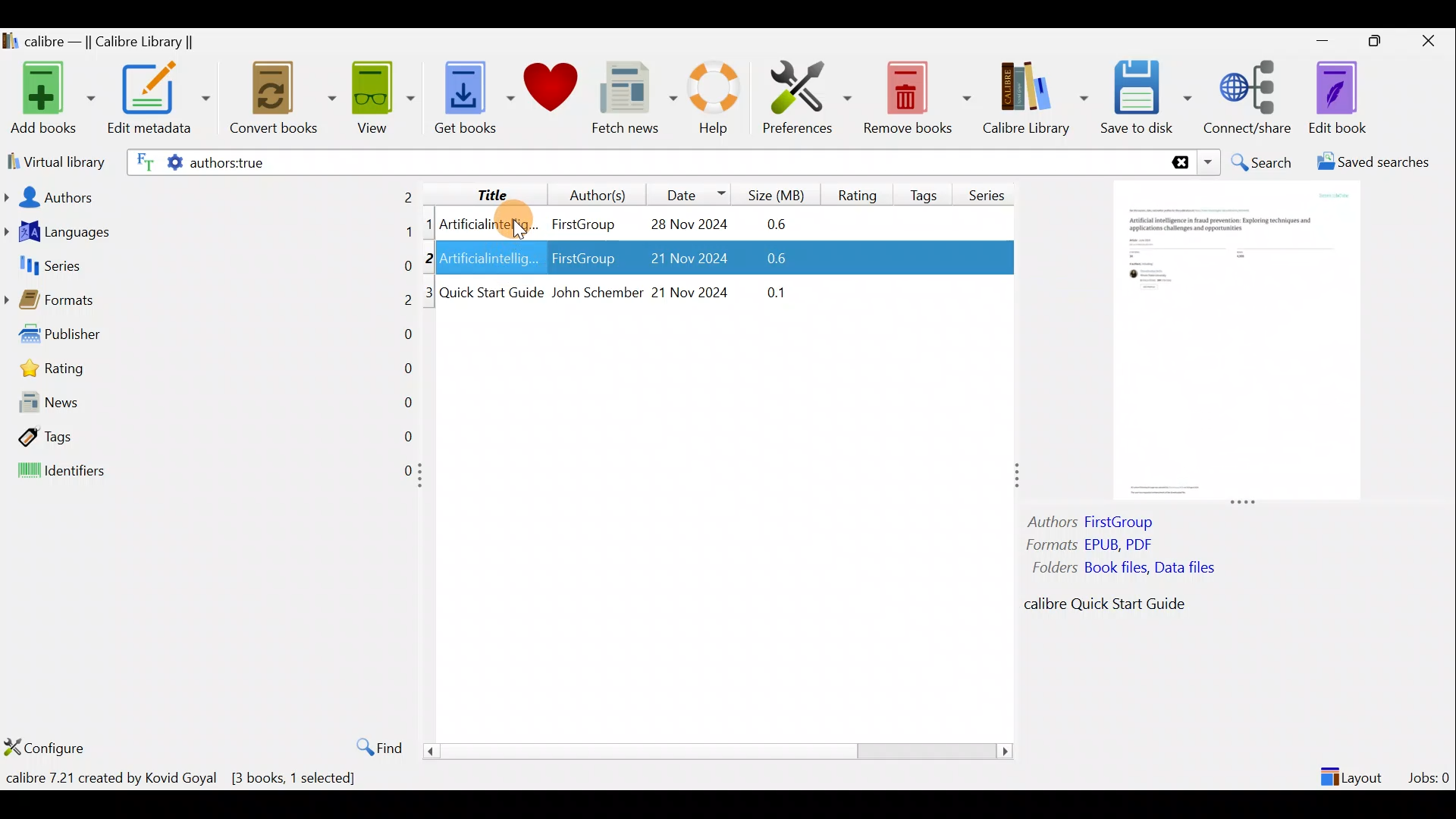 The image size is (1456, 819). What do you see at coordinates (283, 99) in the screenshot?
I see `Convert books` at bounding box center [283, 99].